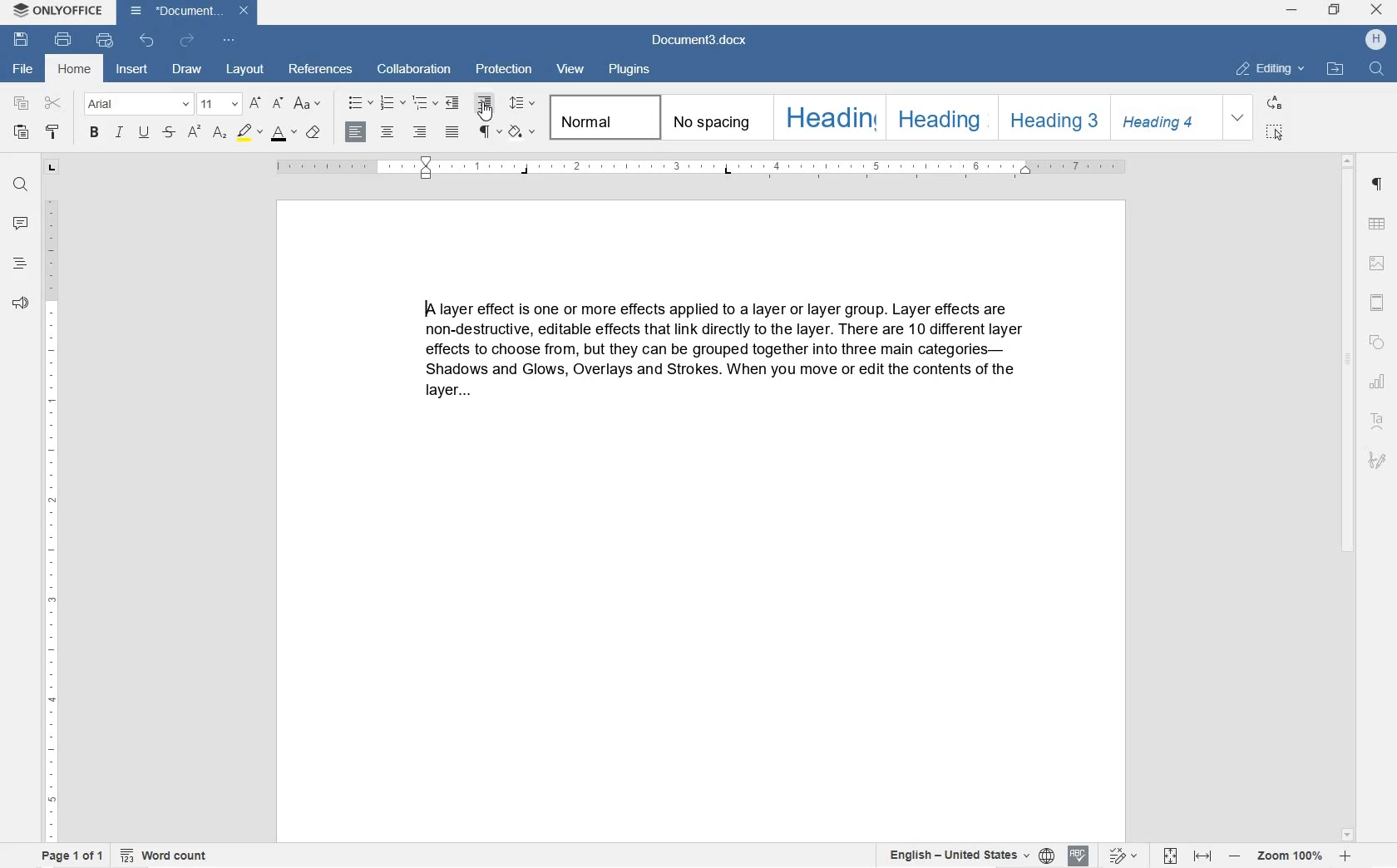  Describe the element at coordinates (485, 103) in the screenshot. I see `INCREASE INDENT` at that location.